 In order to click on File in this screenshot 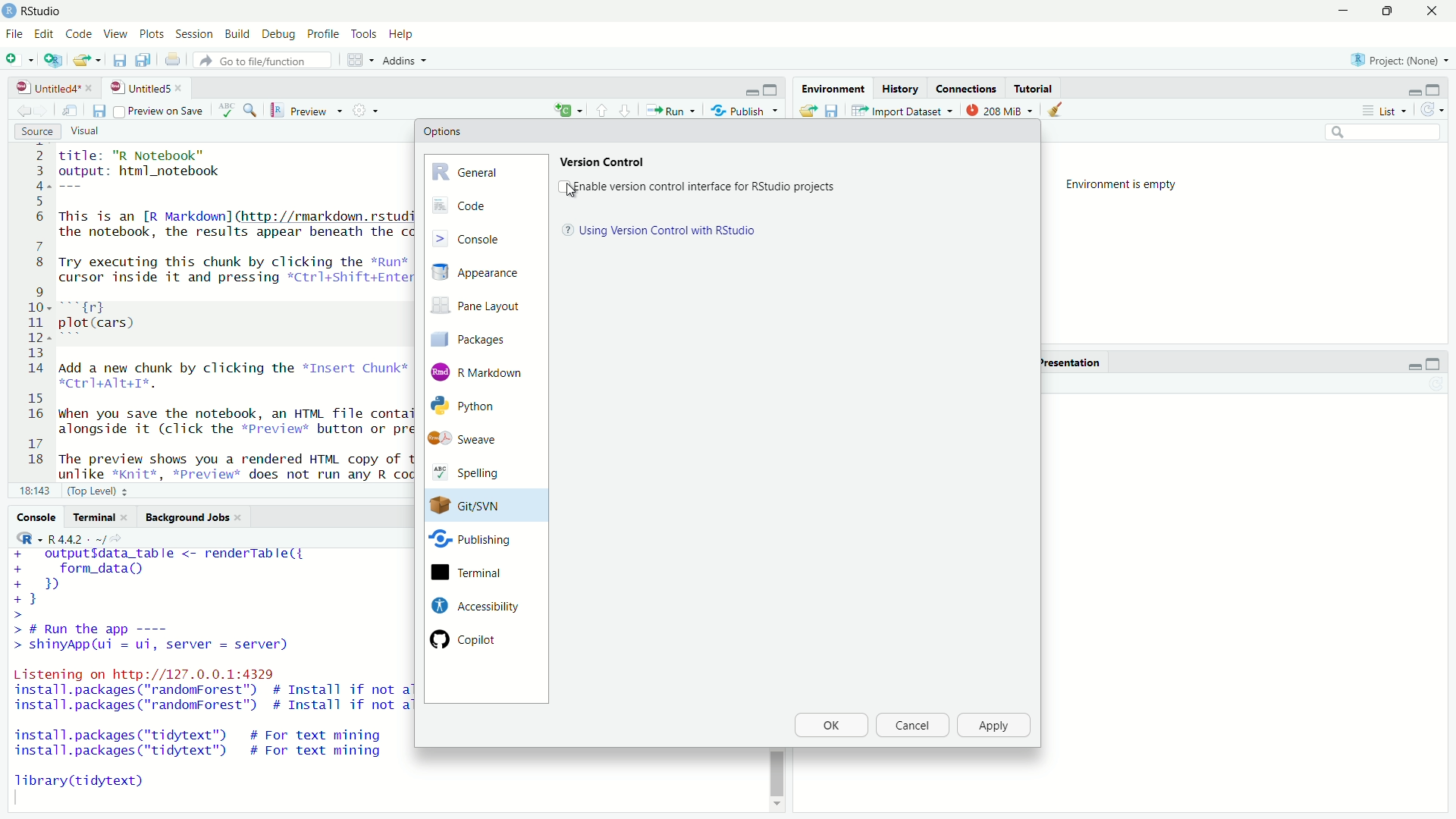, I will do `click(14, 33)`.